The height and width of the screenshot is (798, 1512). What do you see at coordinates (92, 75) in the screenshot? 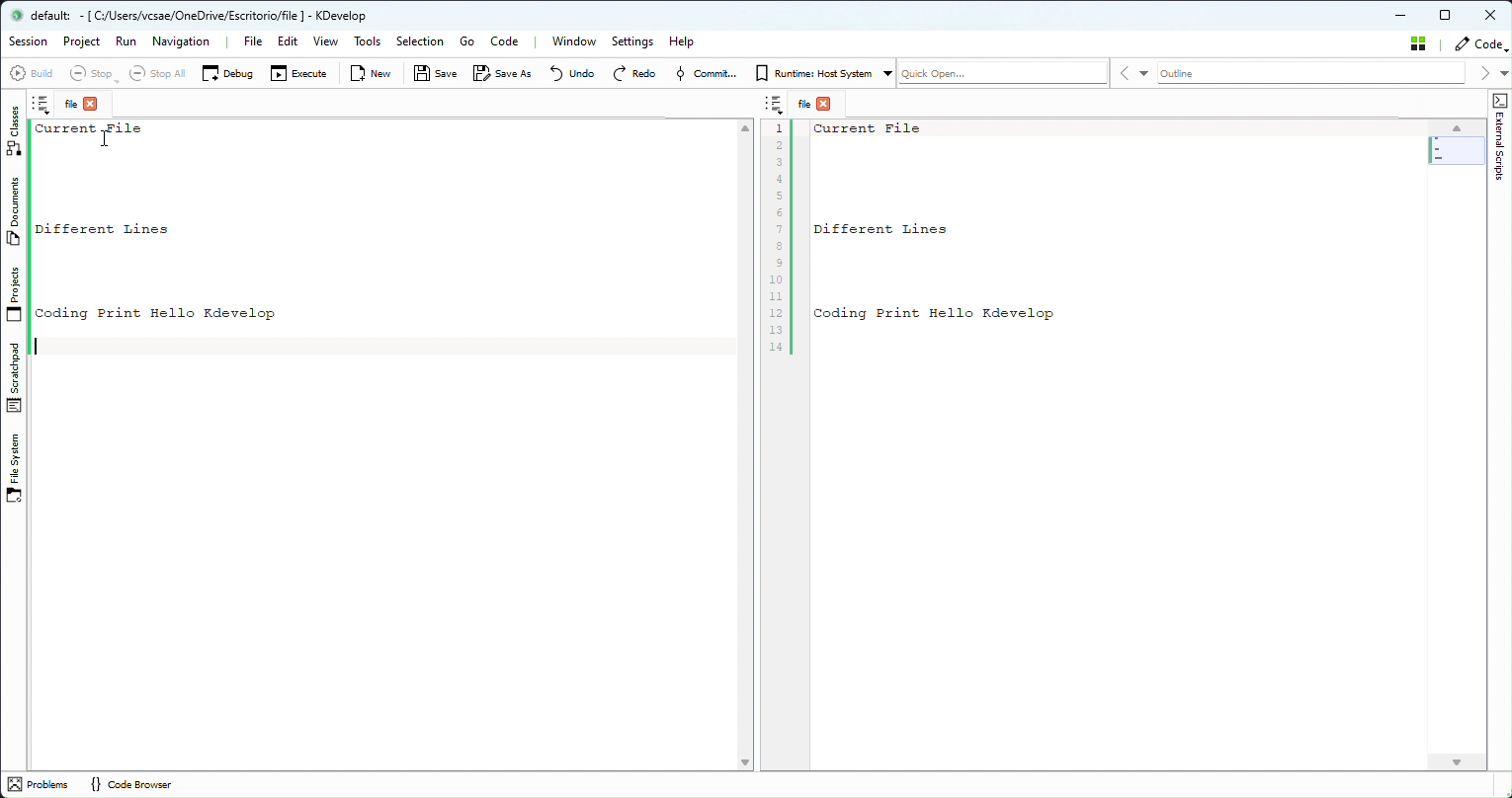
I see `Stop` at bounding box center [92, 75].